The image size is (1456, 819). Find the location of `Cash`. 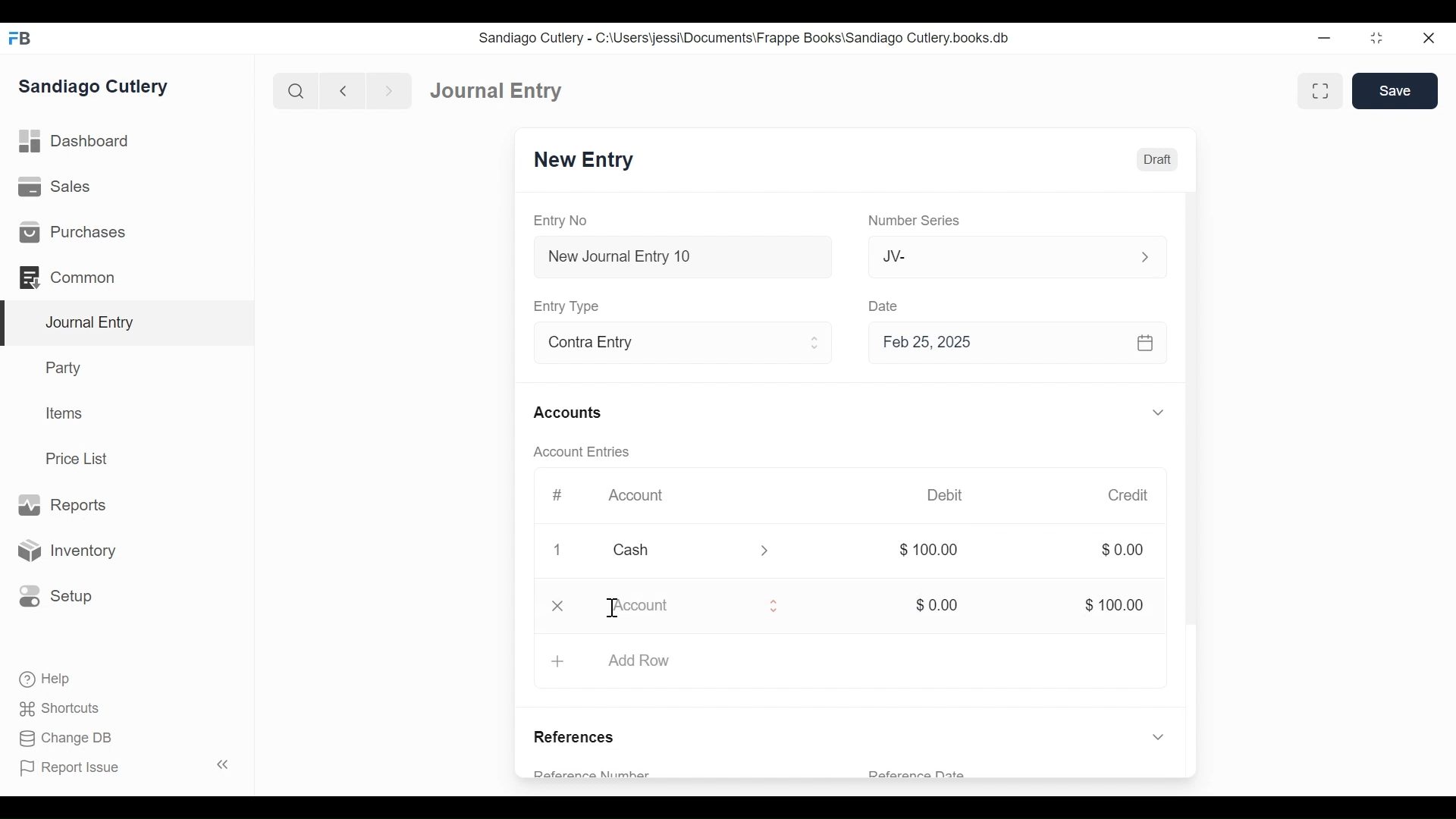

Cash is located at coordinates (667, 551).